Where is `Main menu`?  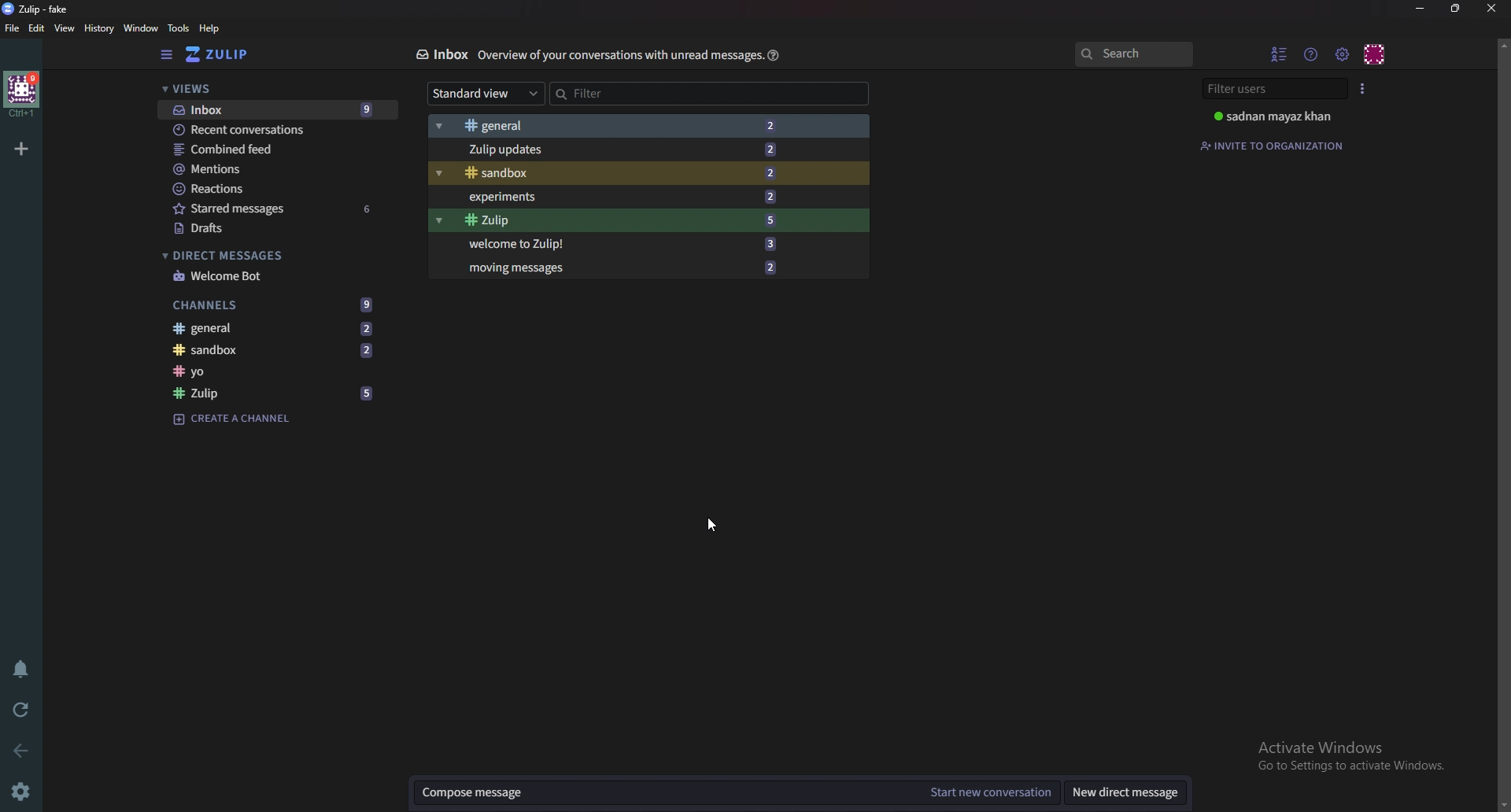
Main menu is located at coordinates (1342, 54).